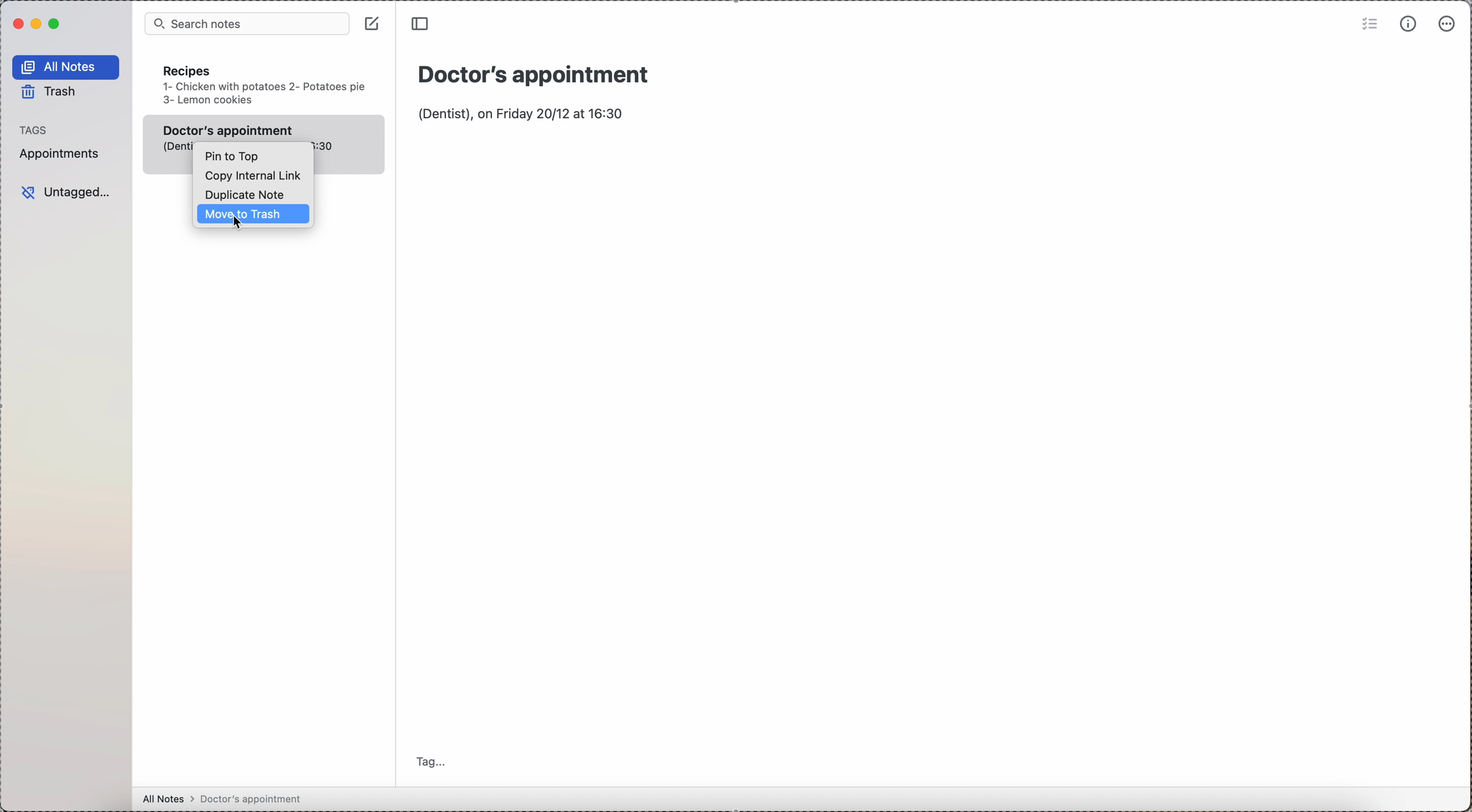 The width and height of the screenshot is (1472, 812). Describe the element at coordinates (18, 23) in the screenshot. I see `close Simplenote` at that location.